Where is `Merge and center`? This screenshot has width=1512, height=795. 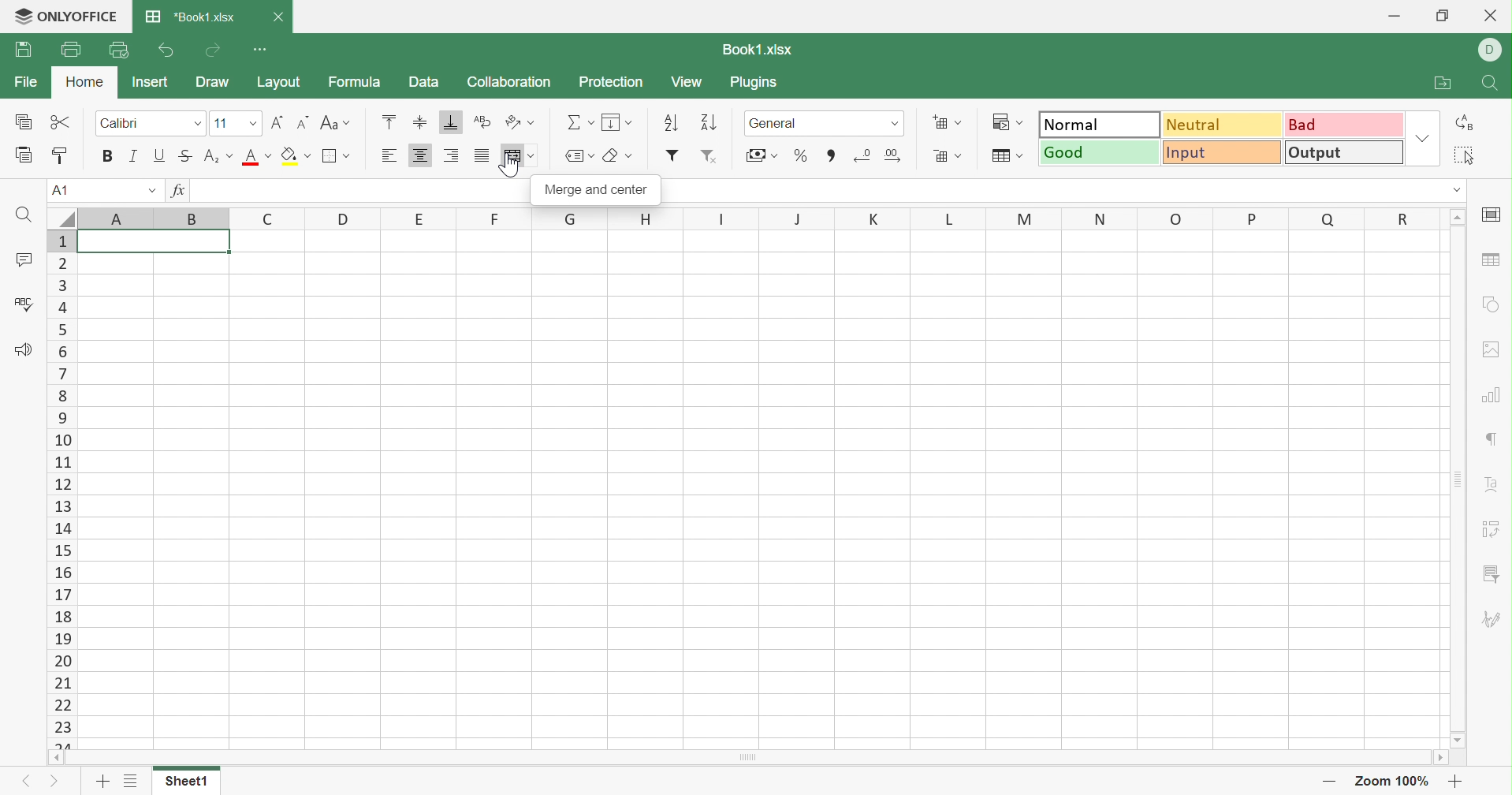 Merge and center is located at coordinates (596, 192).